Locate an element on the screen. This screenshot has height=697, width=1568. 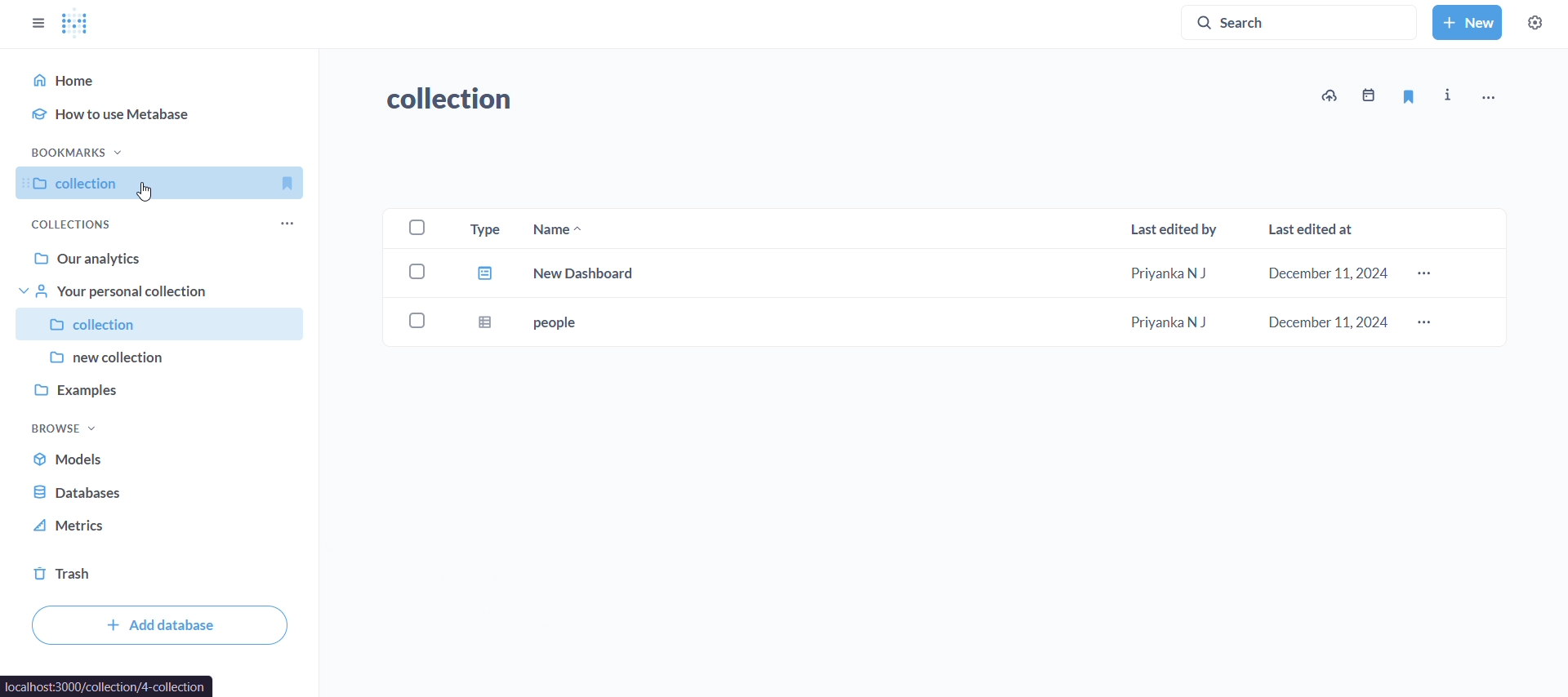
url: localhost:3000/collection/4-collection is located at coordinates (108, 685).